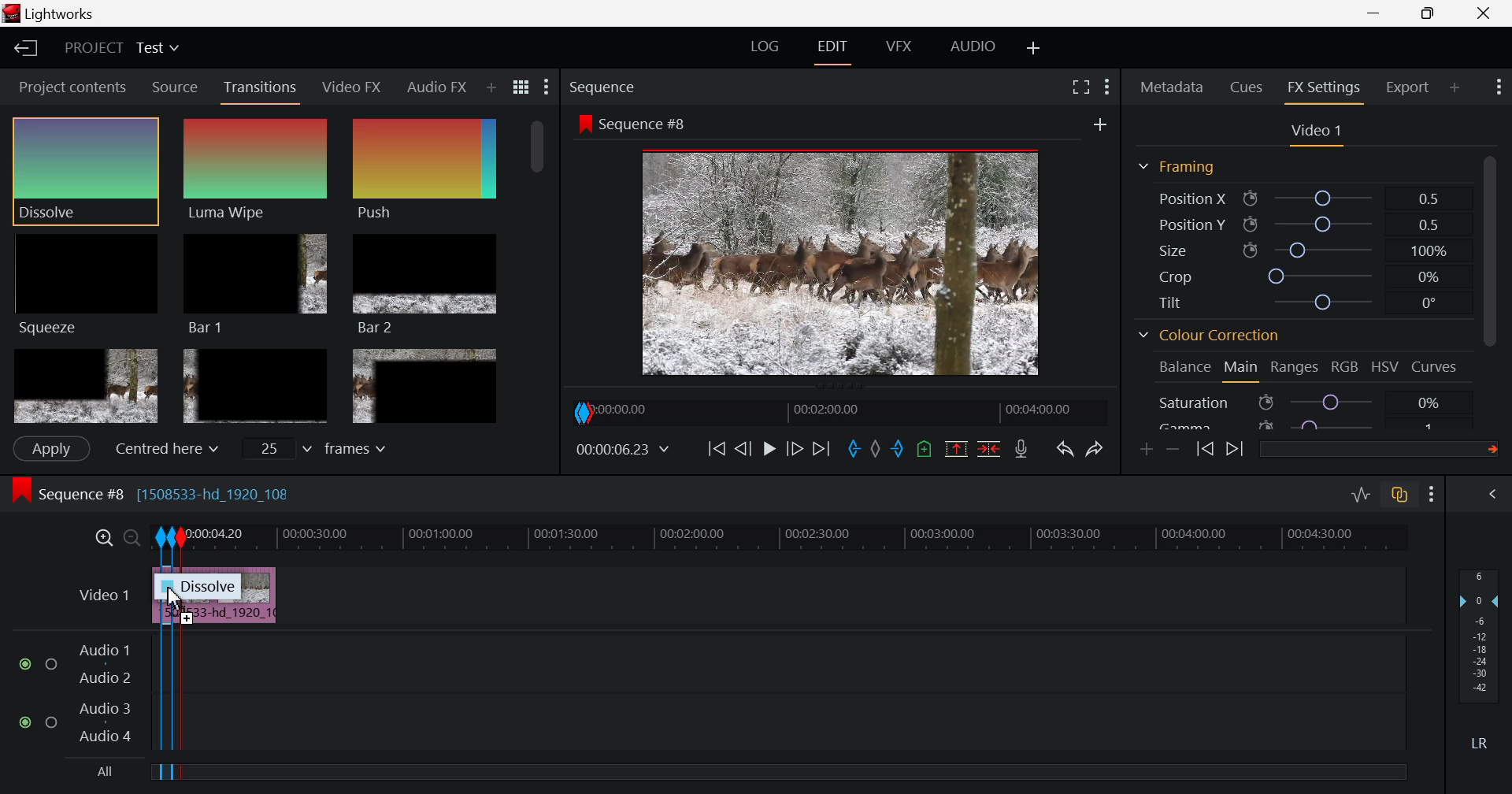 This screenshot has height=794, width=1512. I want to click on Sequence , so click(606, 87).